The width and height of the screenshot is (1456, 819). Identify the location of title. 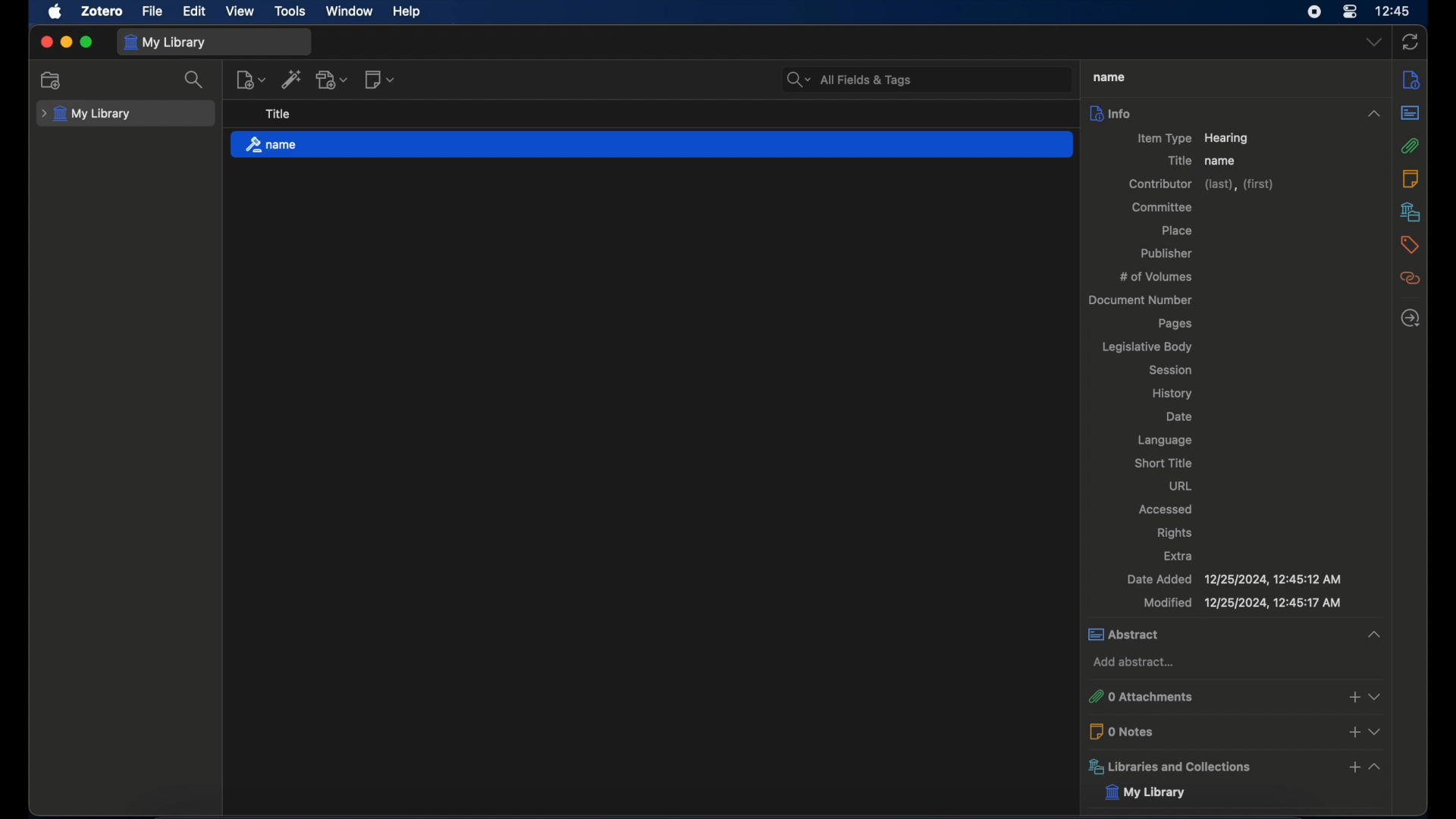
(278, 113).